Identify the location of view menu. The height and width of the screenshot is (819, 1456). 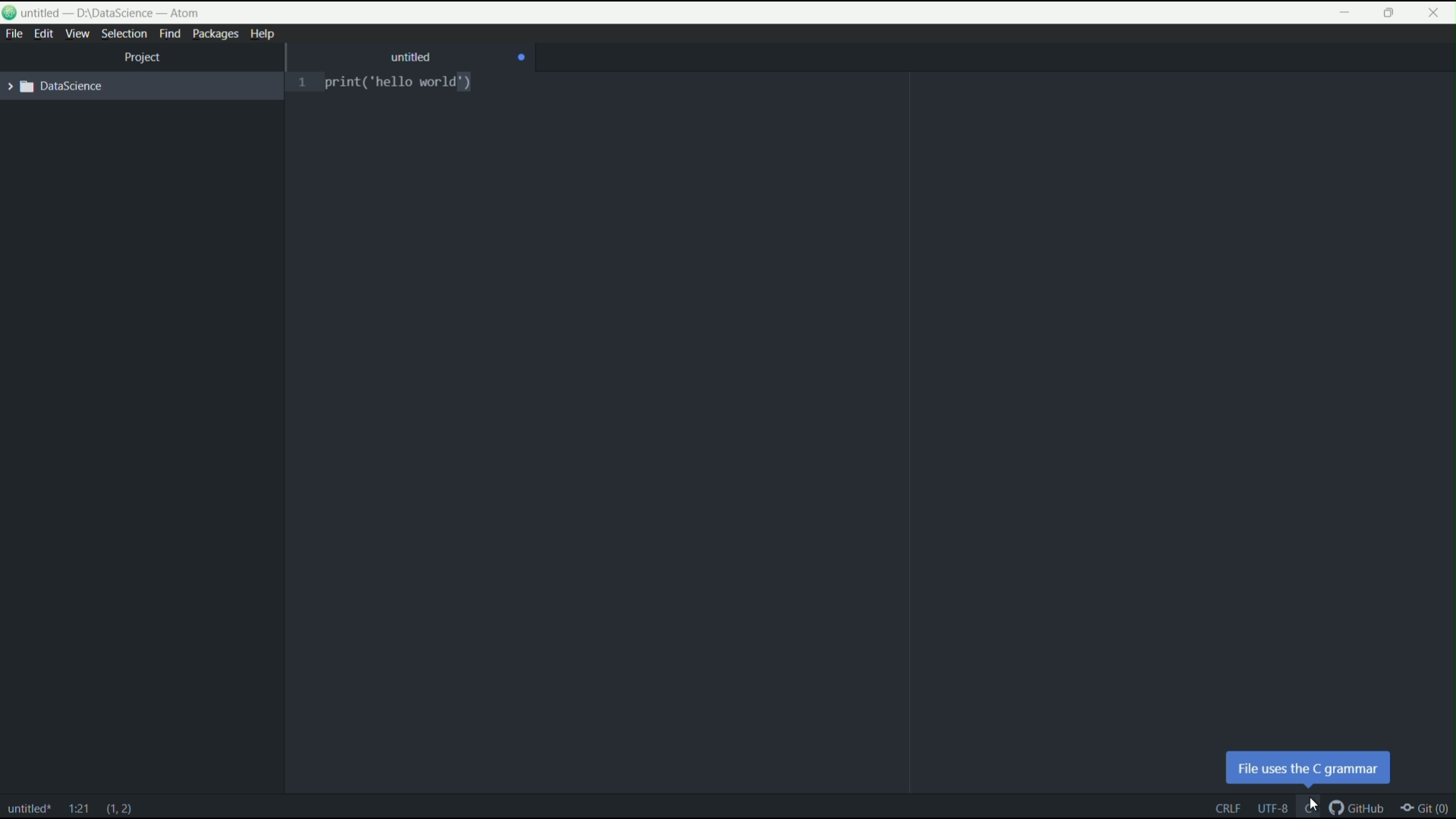
(77, 34).